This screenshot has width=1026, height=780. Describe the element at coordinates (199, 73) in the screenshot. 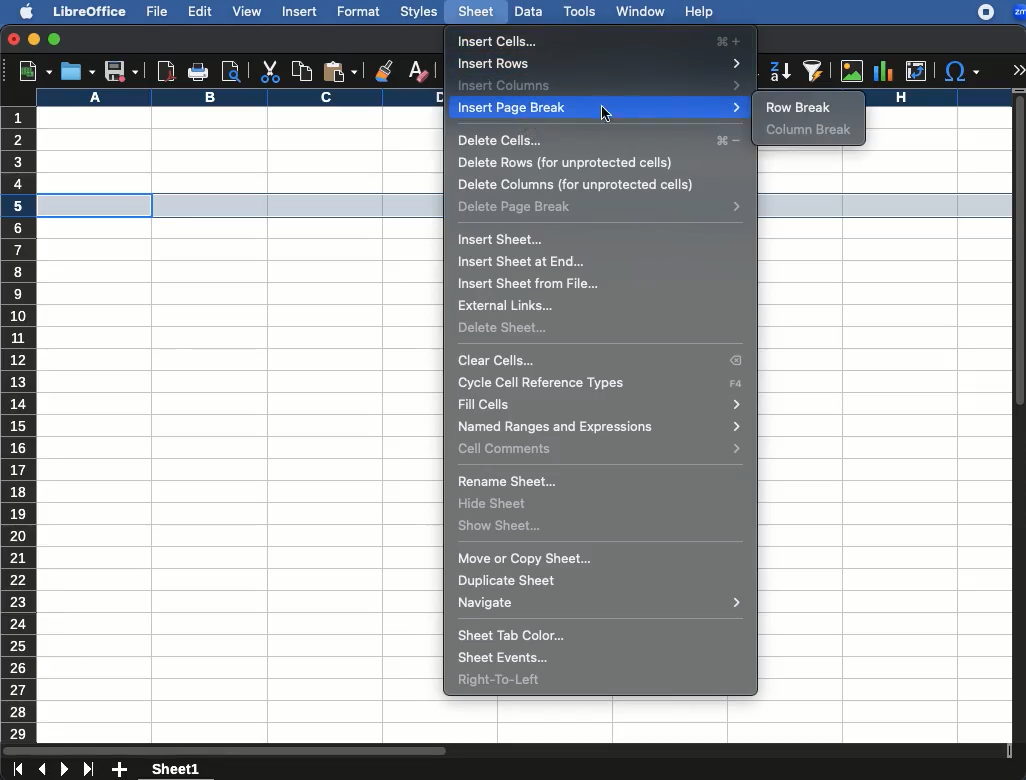

I see `print` at that location.